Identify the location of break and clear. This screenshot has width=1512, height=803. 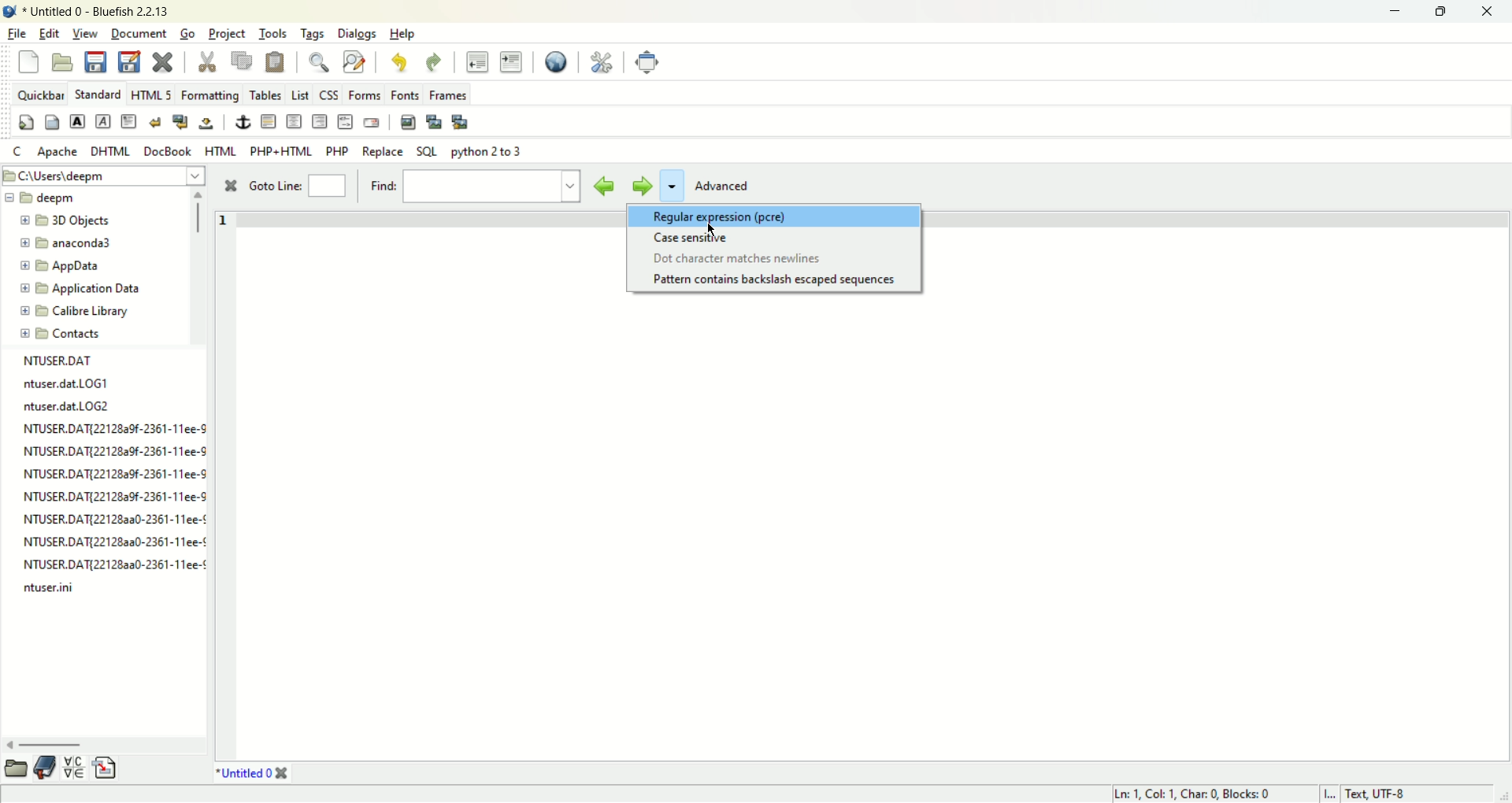
(180, 122).